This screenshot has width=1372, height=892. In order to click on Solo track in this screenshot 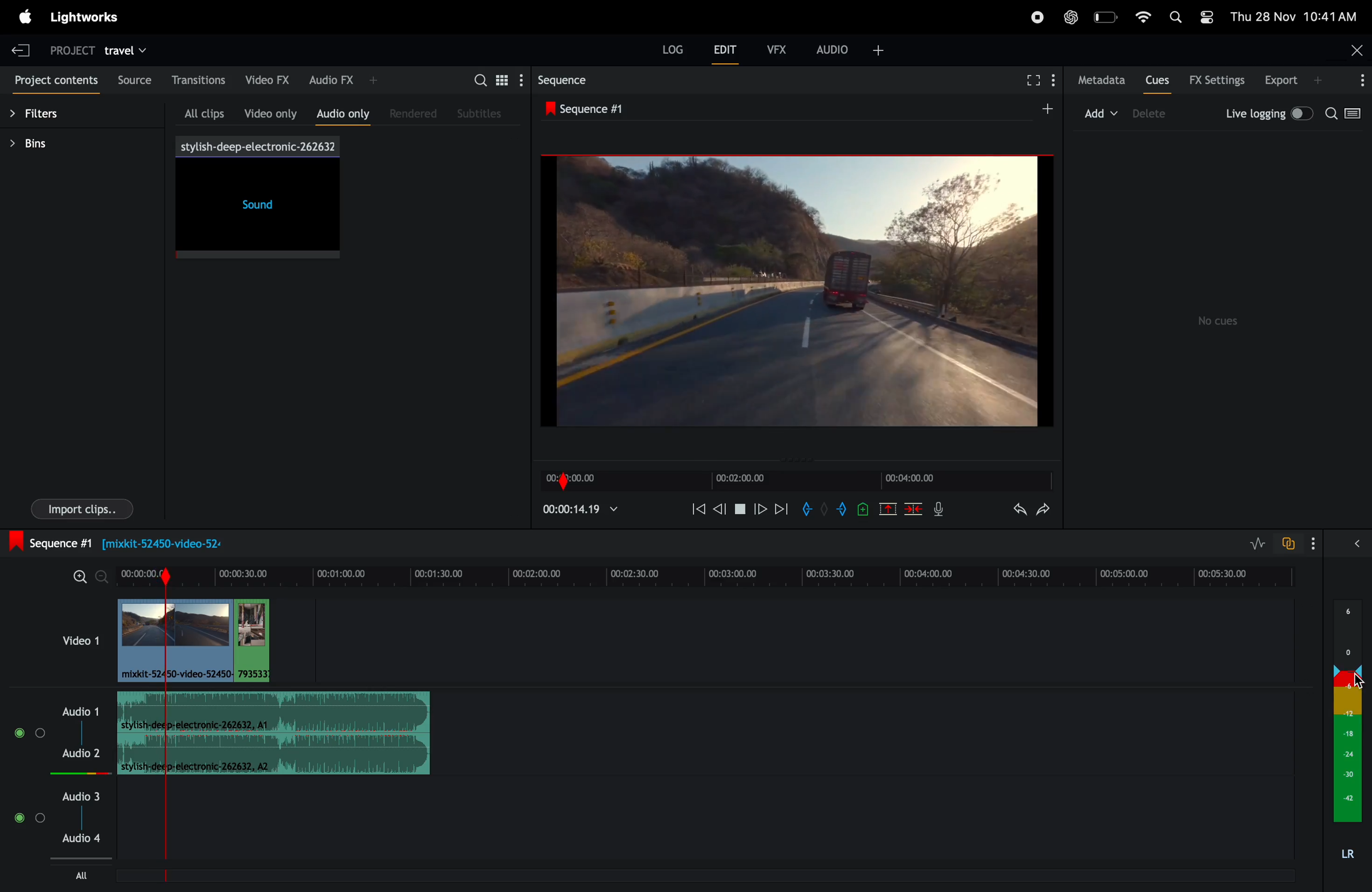, I will do `click(40, 821)`.